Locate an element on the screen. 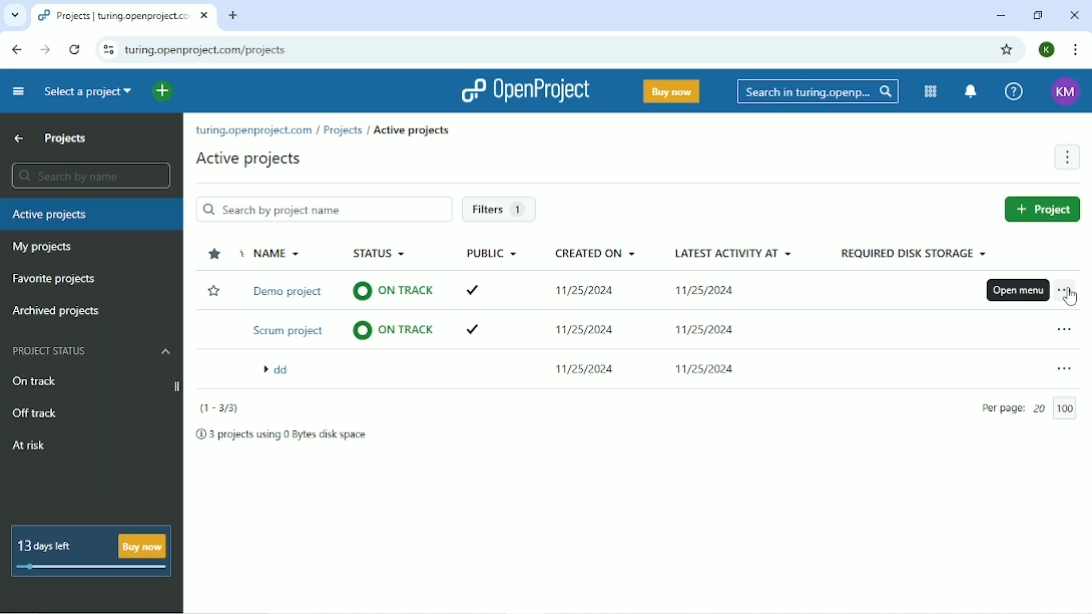  Off track is located at coordinates (35, 414).